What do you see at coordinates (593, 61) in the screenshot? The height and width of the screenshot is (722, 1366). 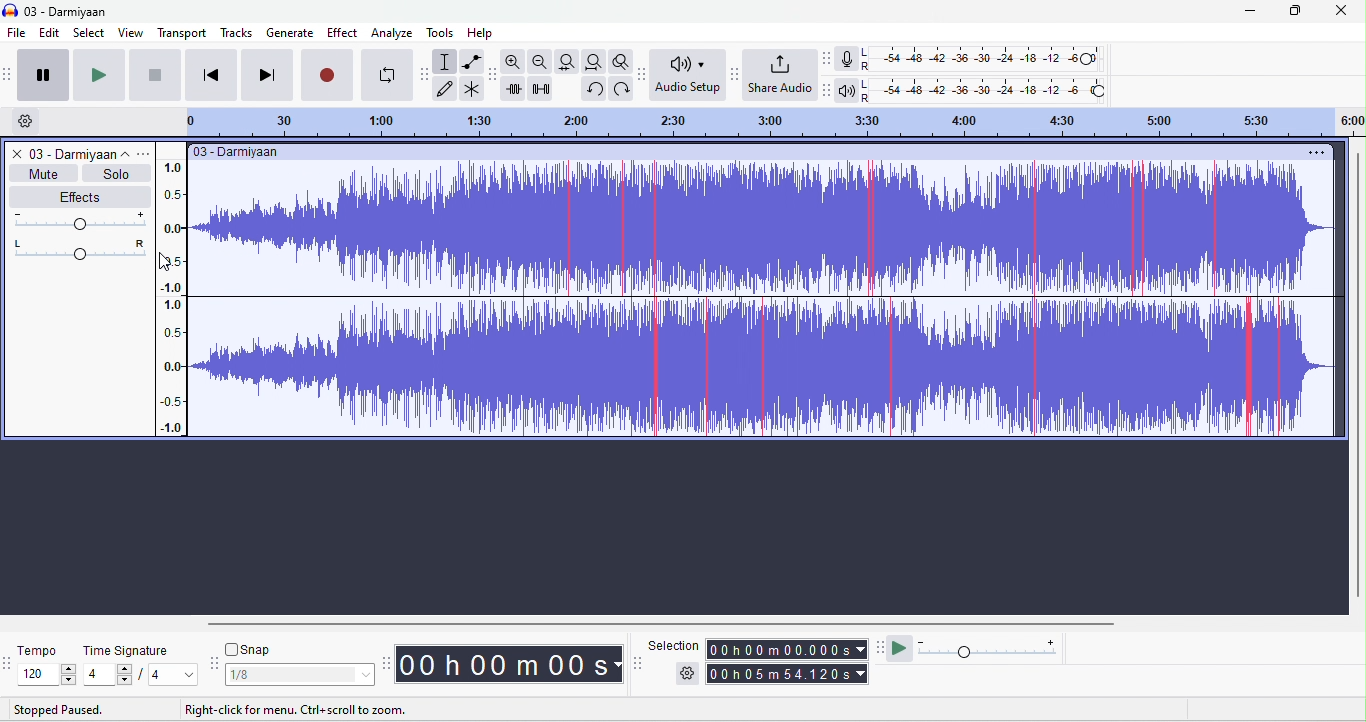 I see `fit to project width` at bounding box center [593, 61].